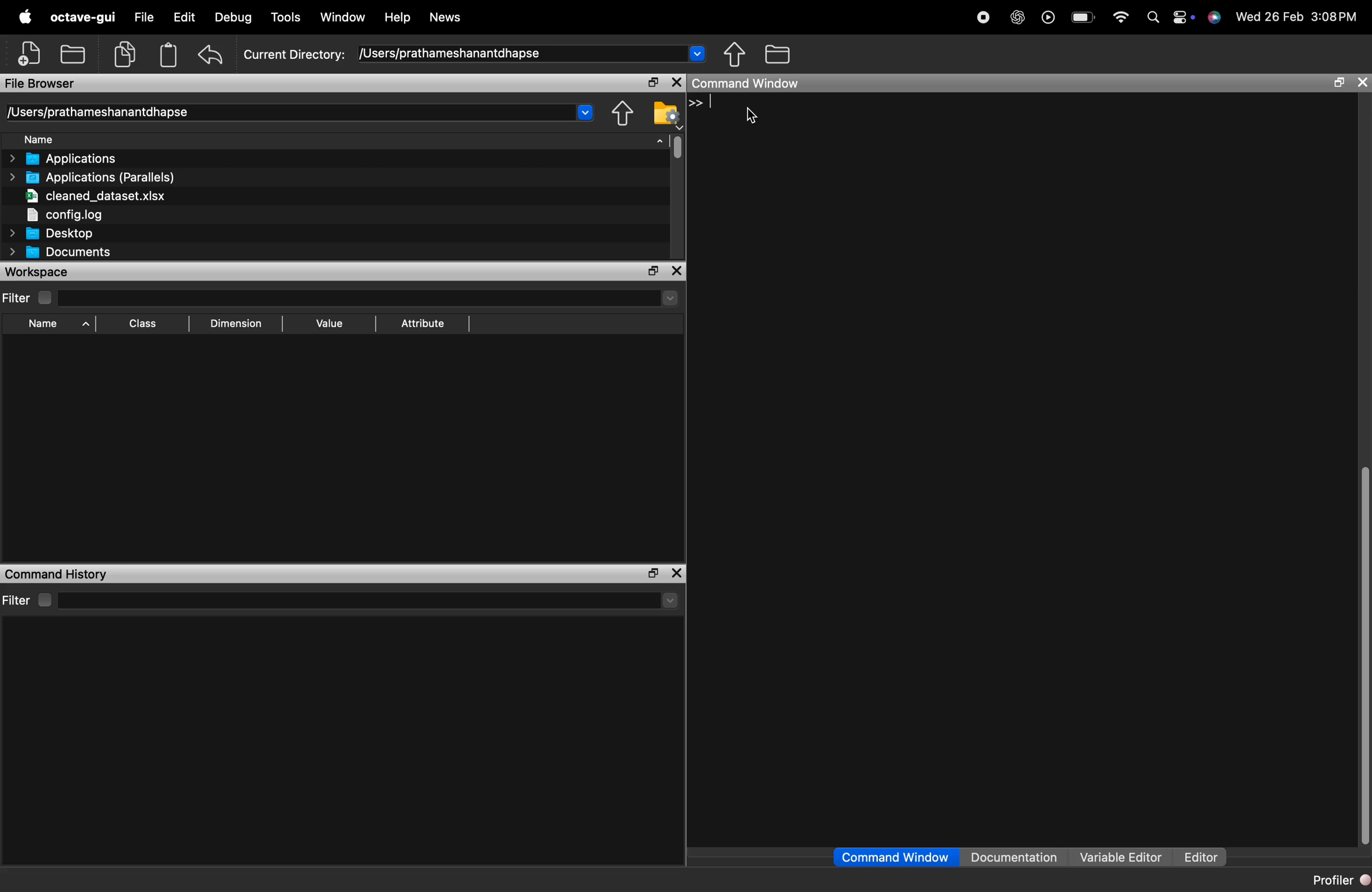 Image resolution: width=1372 pixels, height=892 pixels. What do you see at coordinates (211, 55) in the screenshot?
I see `undo` at bounding box center [211, 55].